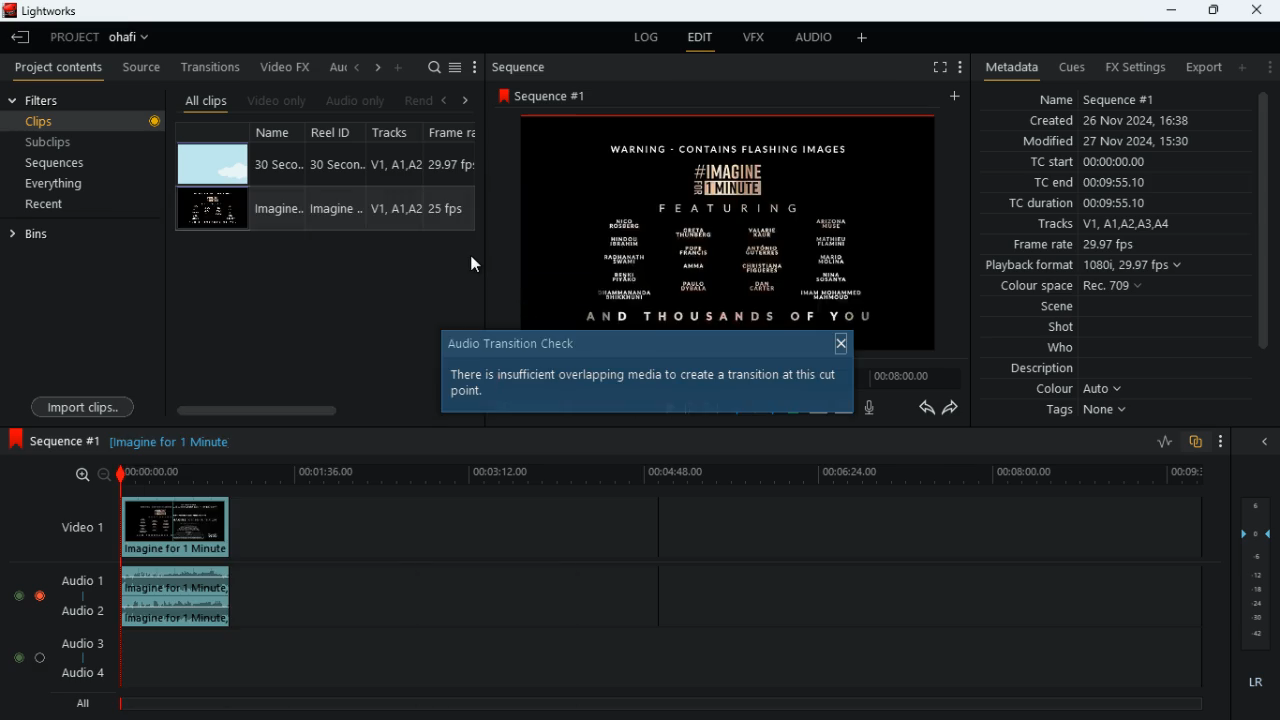 This screenshot has height=720, width=1280. I want to click on log, so click(642, 38).